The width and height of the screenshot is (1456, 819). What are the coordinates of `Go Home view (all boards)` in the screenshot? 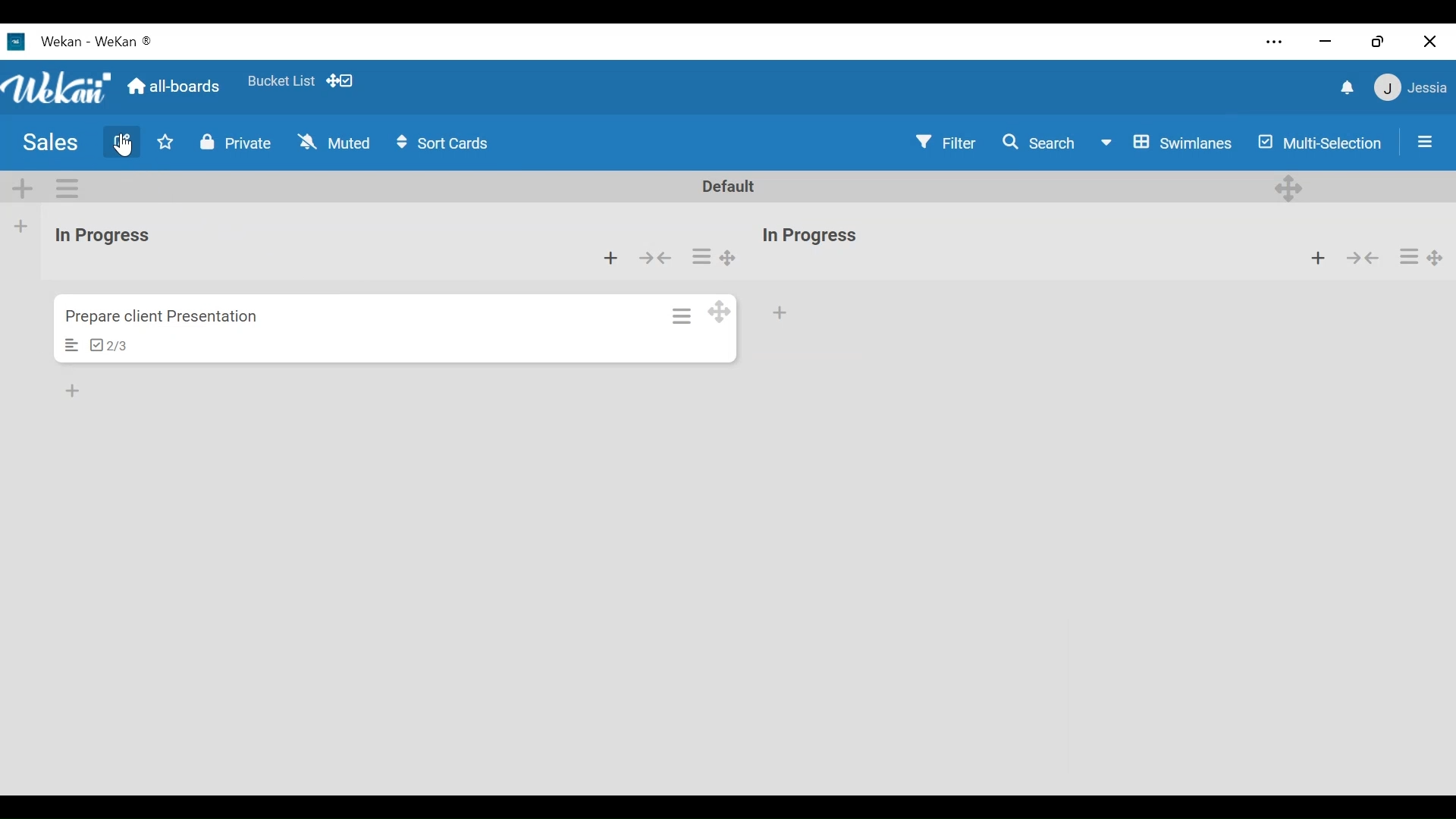 It's located at (176, 84).